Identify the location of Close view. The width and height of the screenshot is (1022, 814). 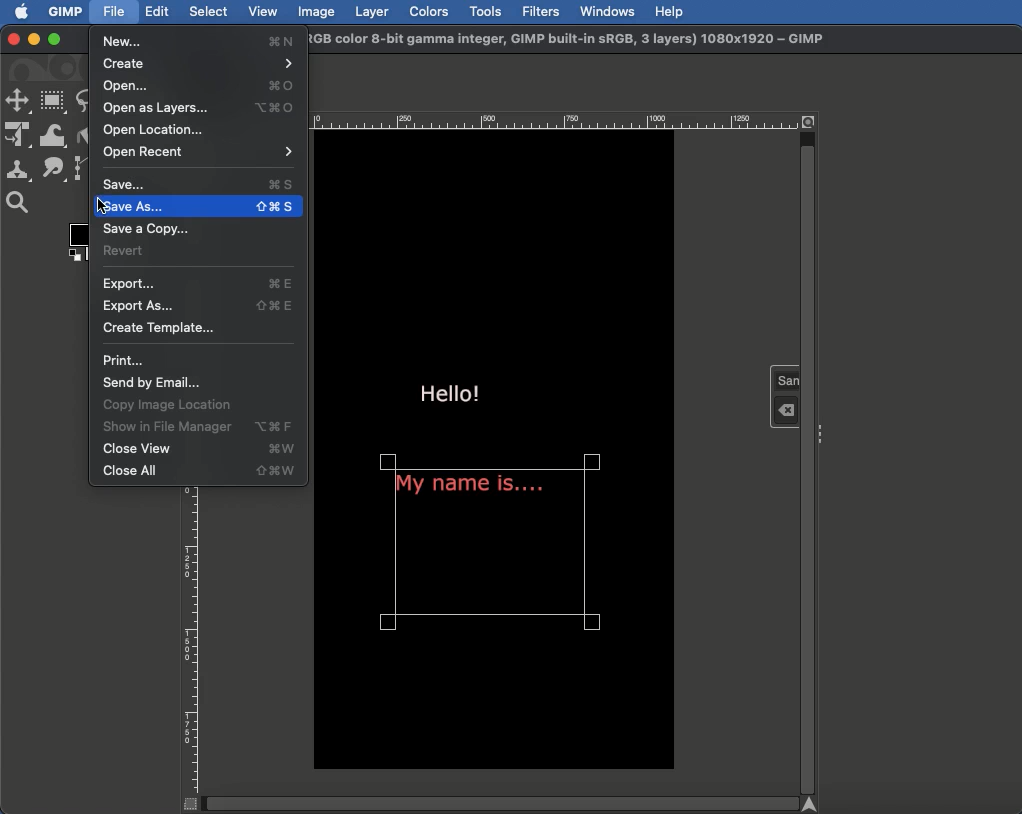
(200, 450).